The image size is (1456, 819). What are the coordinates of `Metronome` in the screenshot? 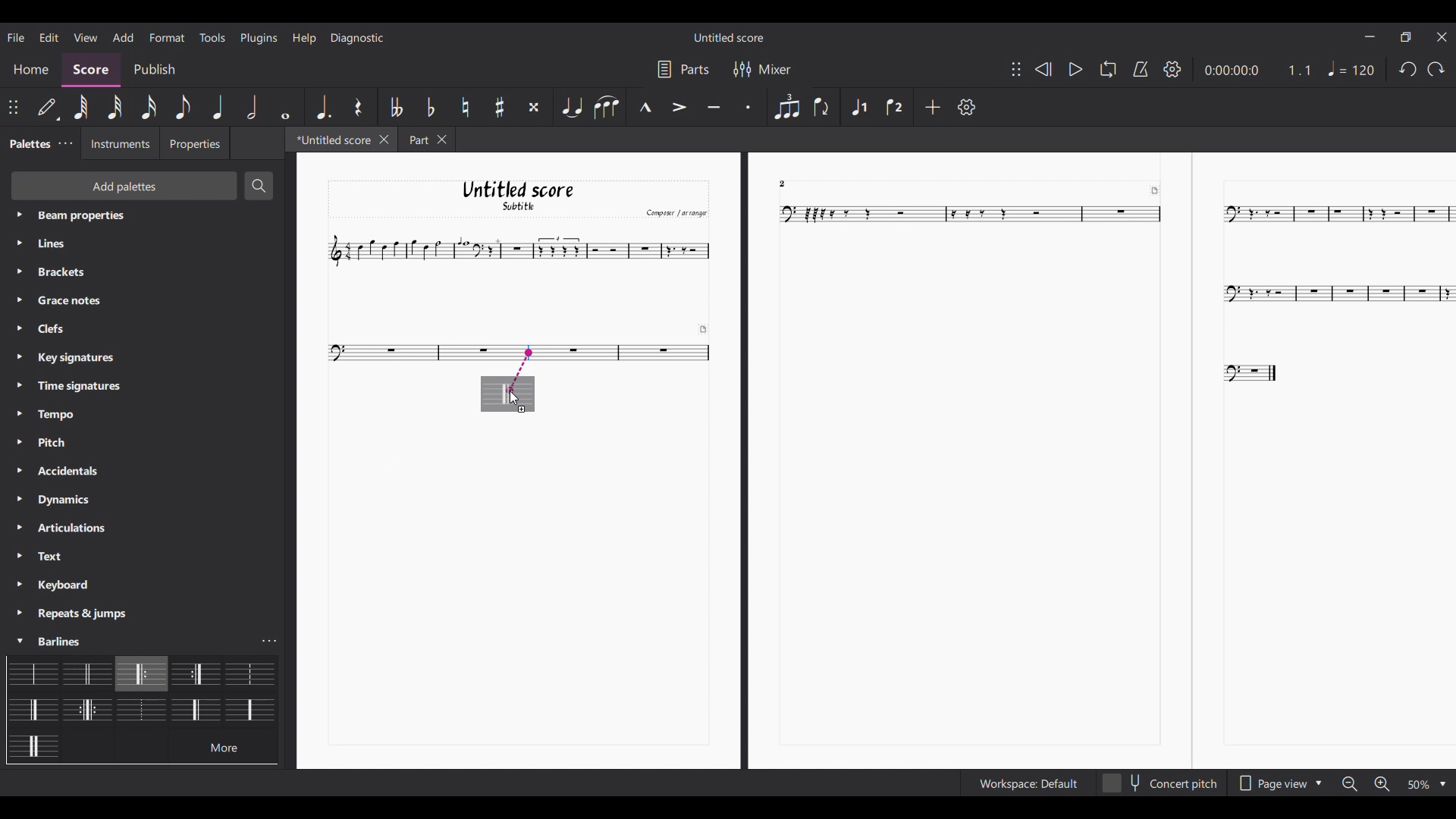 It's located at (1141, 69).